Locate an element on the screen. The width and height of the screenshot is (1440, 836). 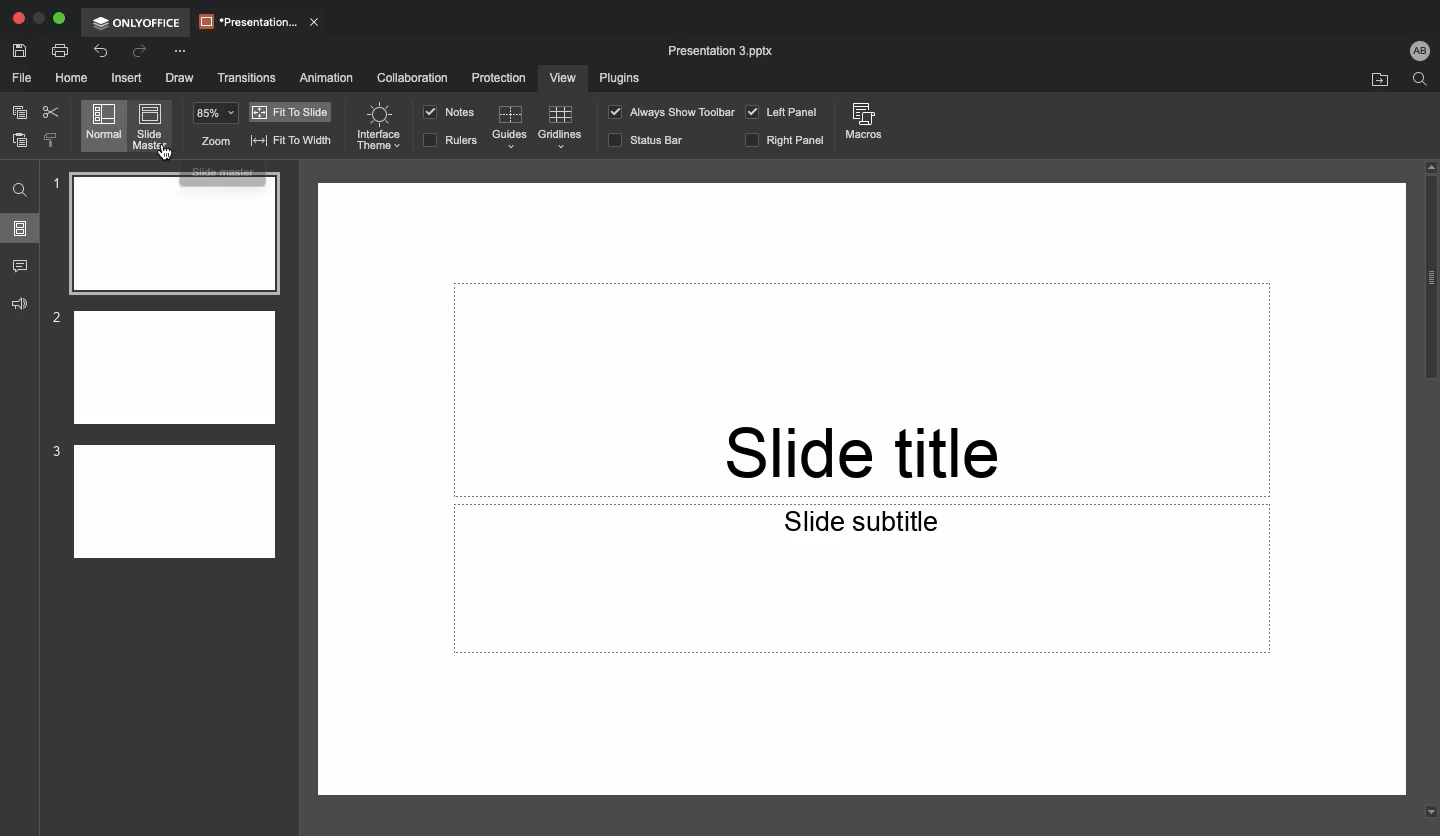
Print is located at coordinates (59, 52).